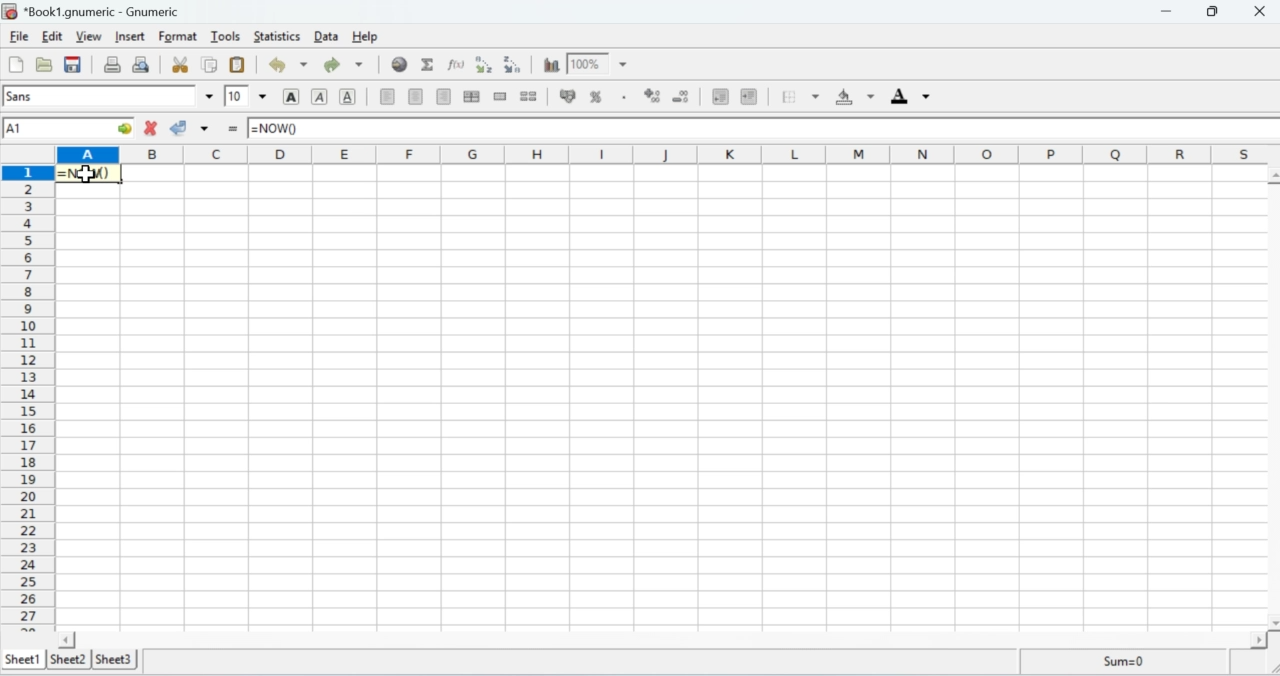 The width and height of the screenshot is (1280, 676). I want to click on Scroll bar, so click(669, 639).